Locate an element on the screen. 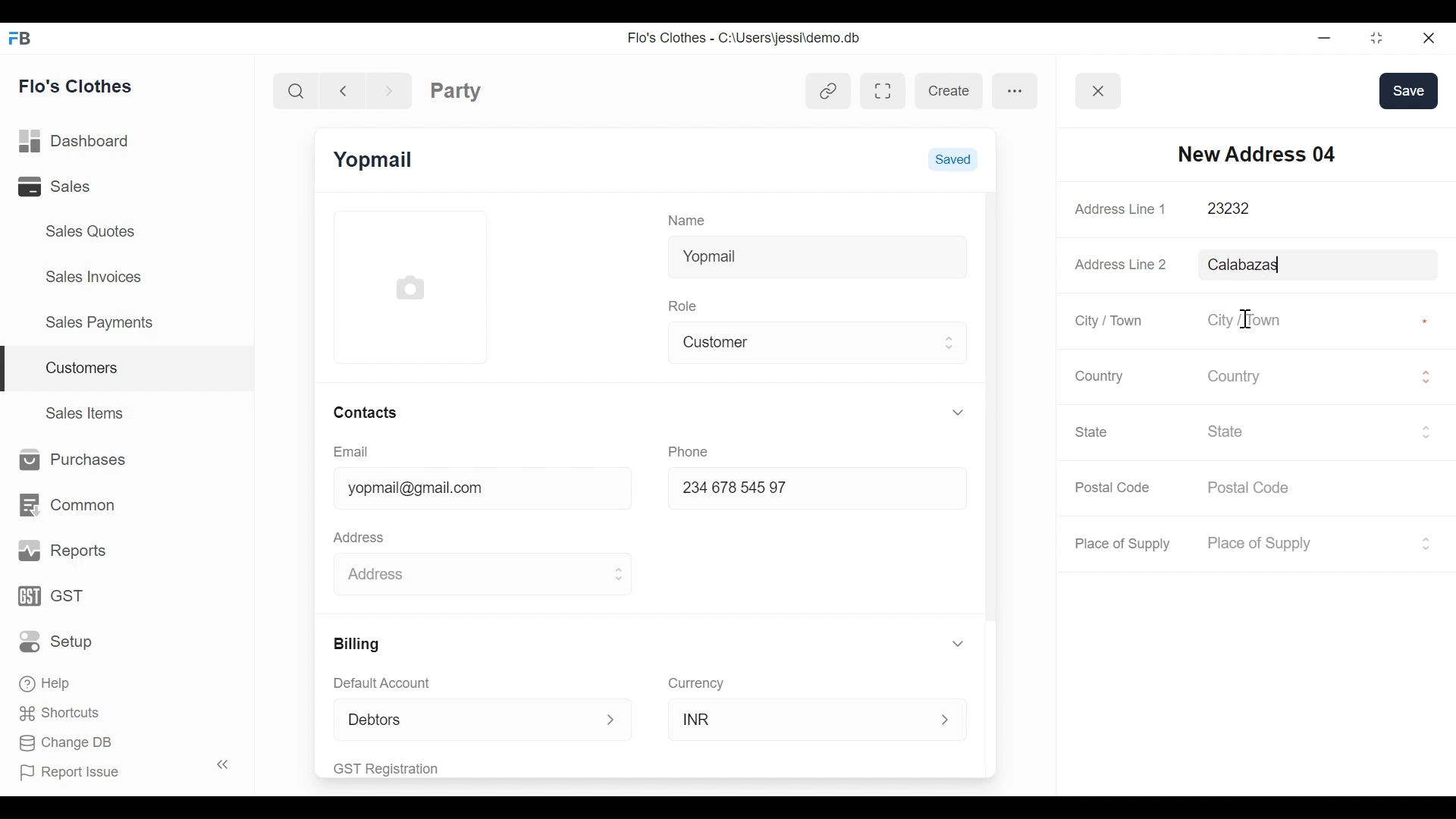 This screenshot has height=819, width=1456. Party is located at coordinates (456, 90).